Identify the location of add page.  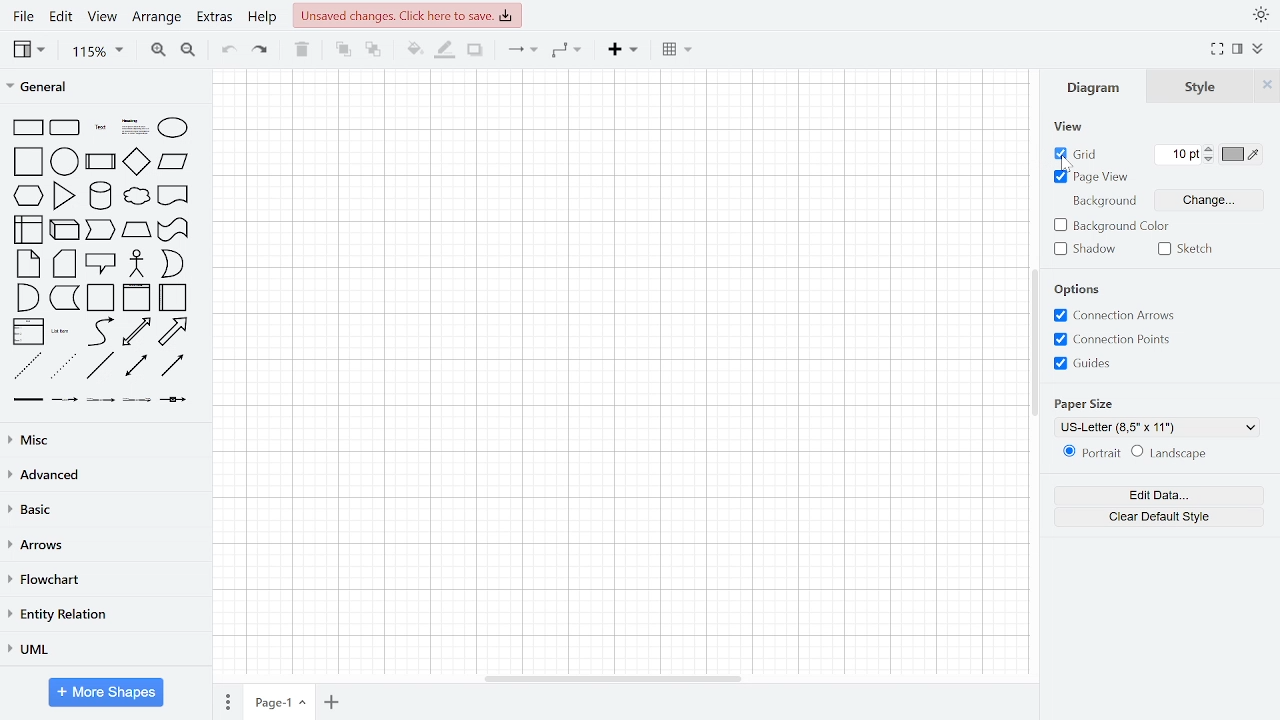
(334, 703).